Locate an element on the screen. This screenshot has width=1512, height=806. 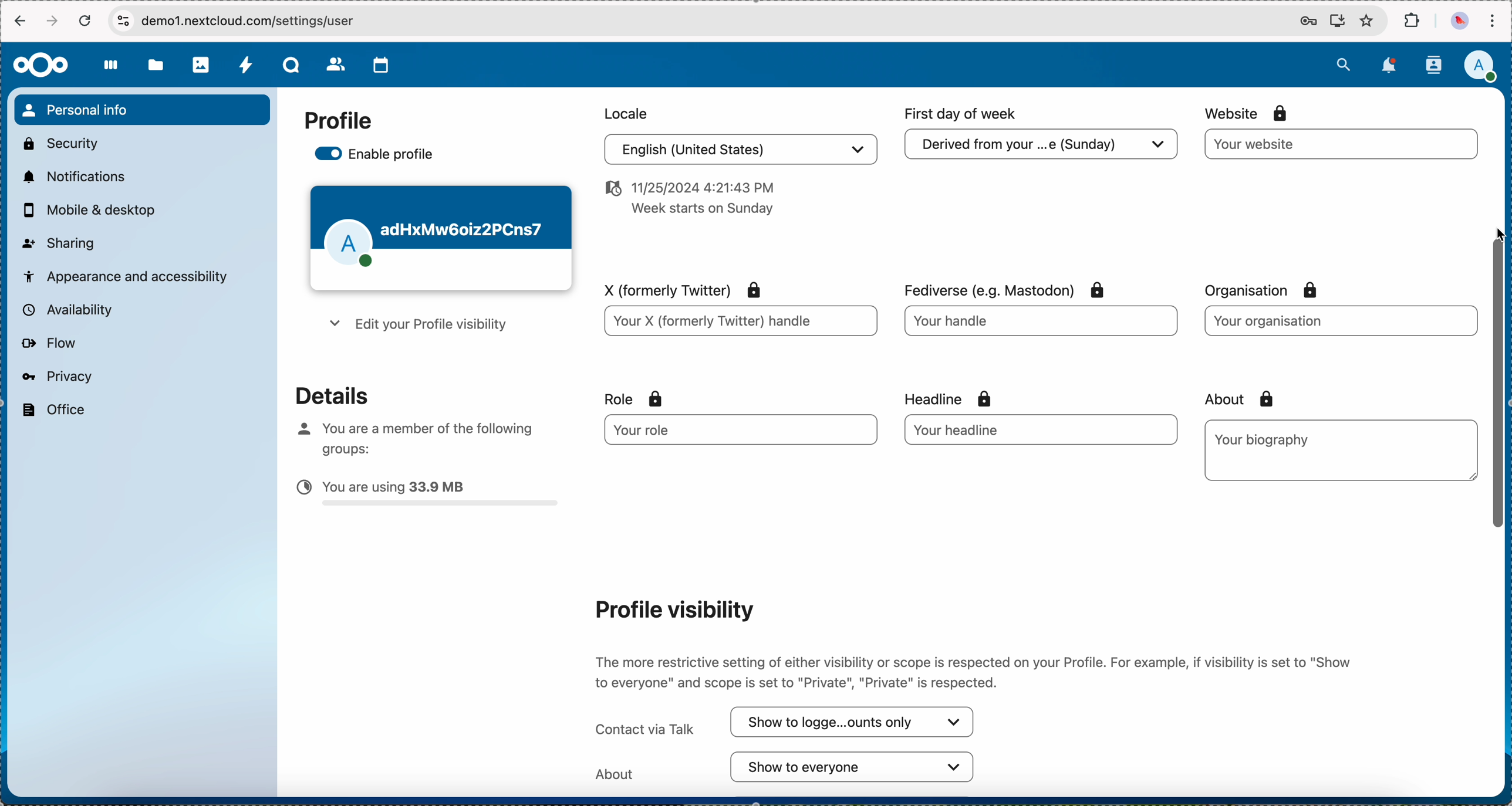
extensions is located at coordinates (1413, 21).